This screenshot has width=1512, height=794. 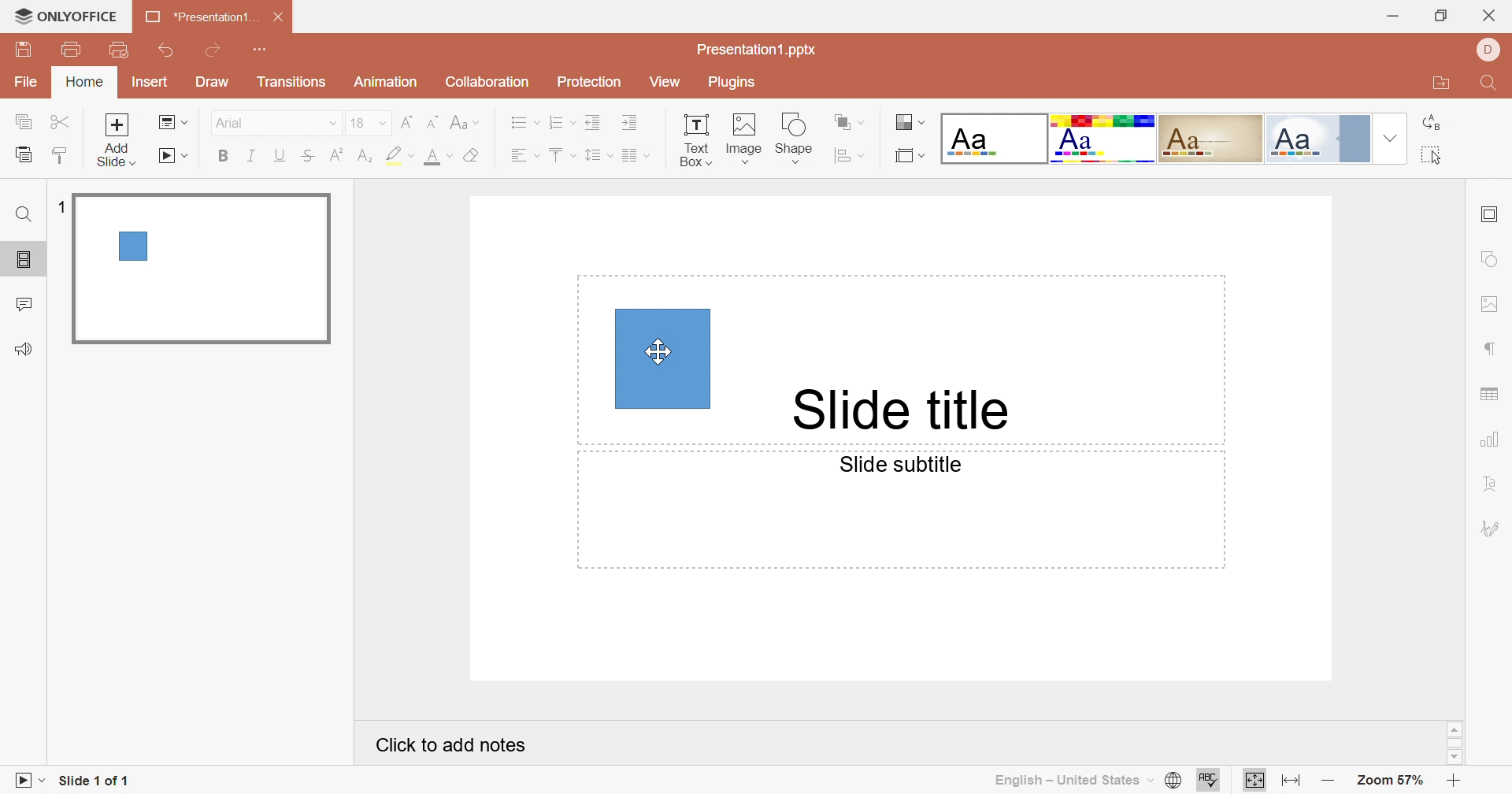 I want to click on Zoom out, so click(x=1324, y=779).